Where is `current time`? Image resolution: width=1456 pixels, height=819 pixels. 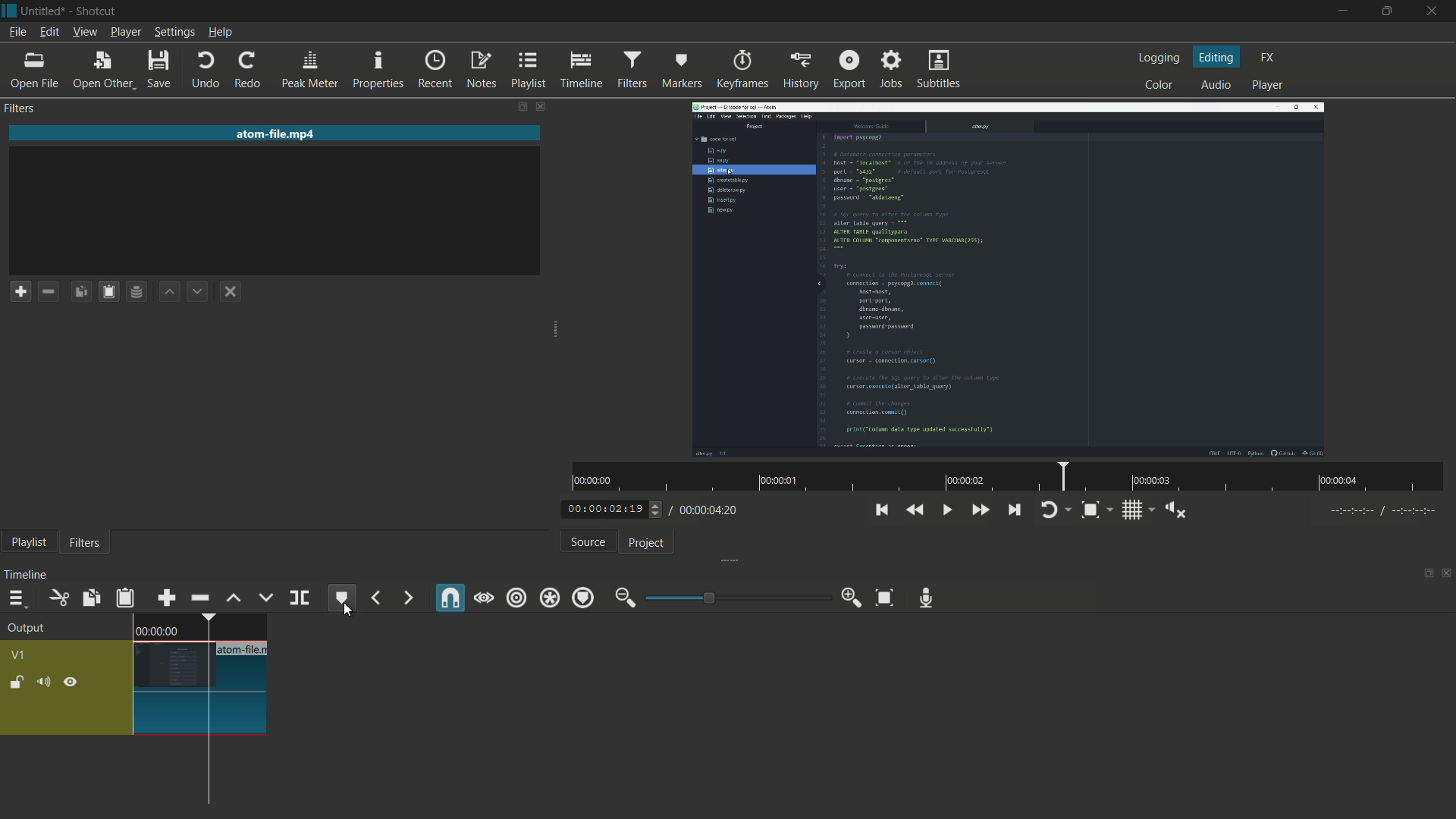
current time is located at coordinates (602, 510).